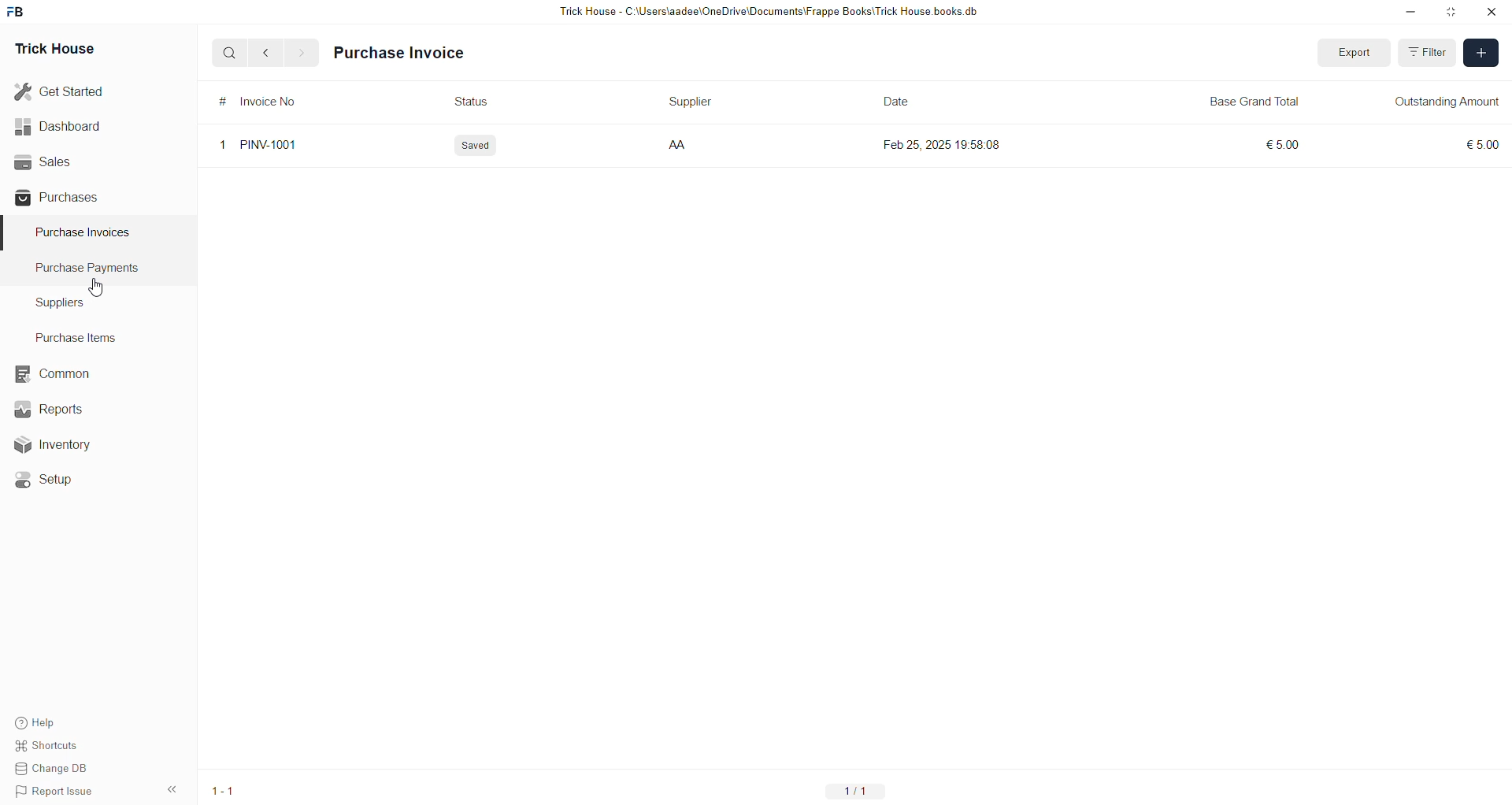  Describe the element at coordinates (35, 723) in the screenshot. I see `Help` at that location.